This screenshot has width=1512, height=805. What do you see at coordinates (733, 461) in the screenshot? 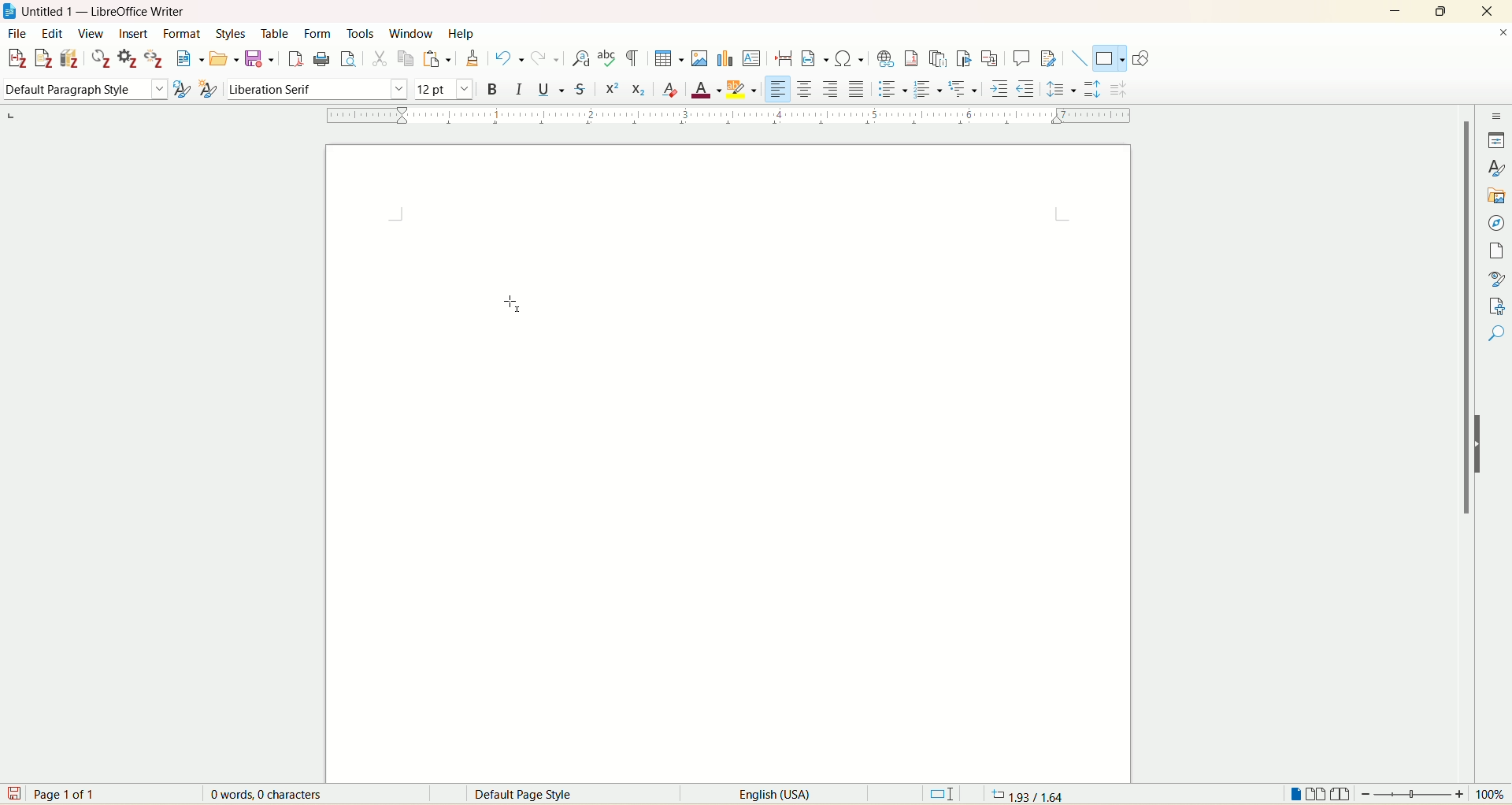
I see `page` at bounding box center [733, 461].